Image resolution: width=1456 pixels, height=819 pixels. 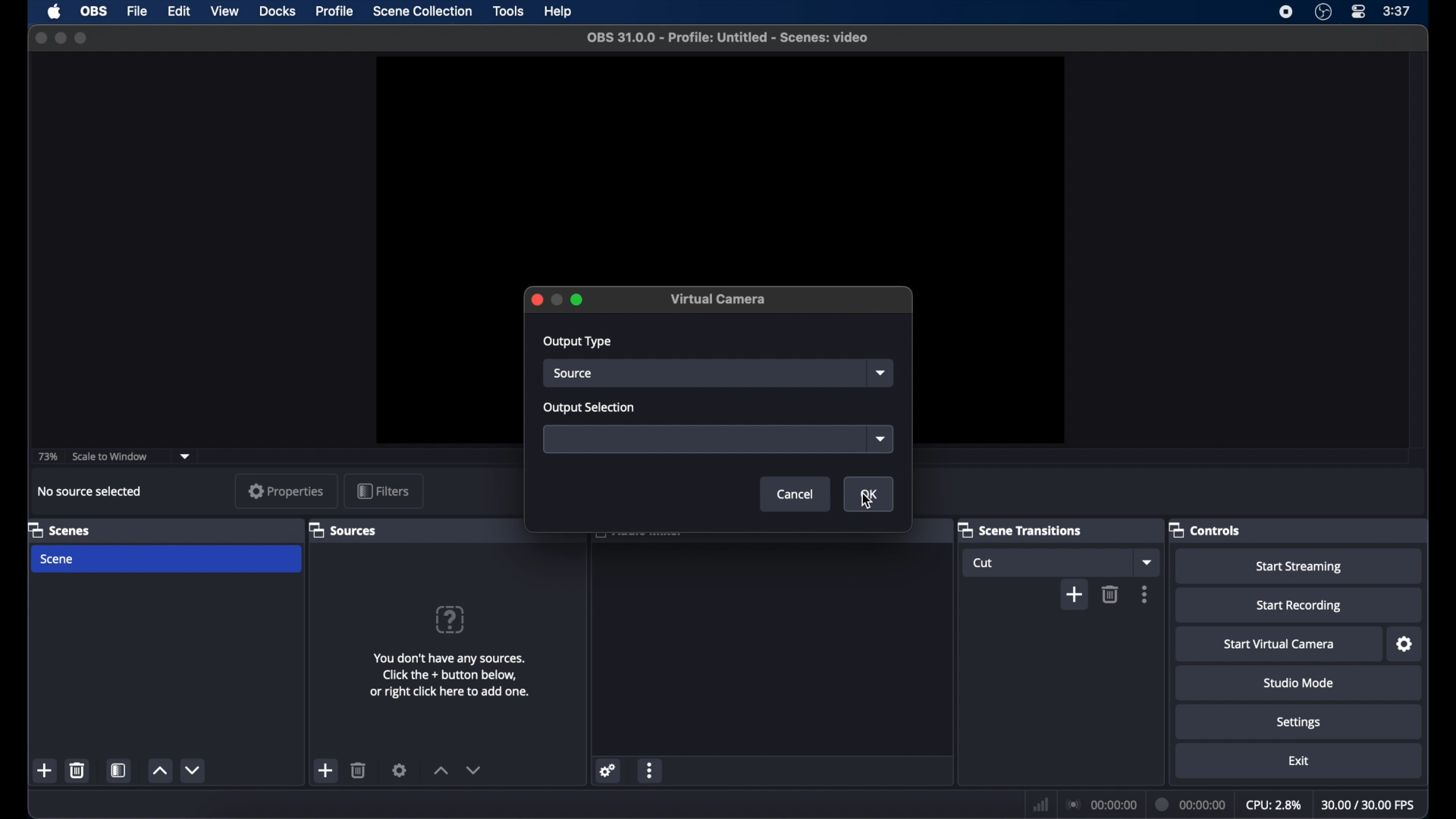 What do you see at coordinates (1357, 12) in the screenshot?
I see `control center` at bounding box center [1357, 12].